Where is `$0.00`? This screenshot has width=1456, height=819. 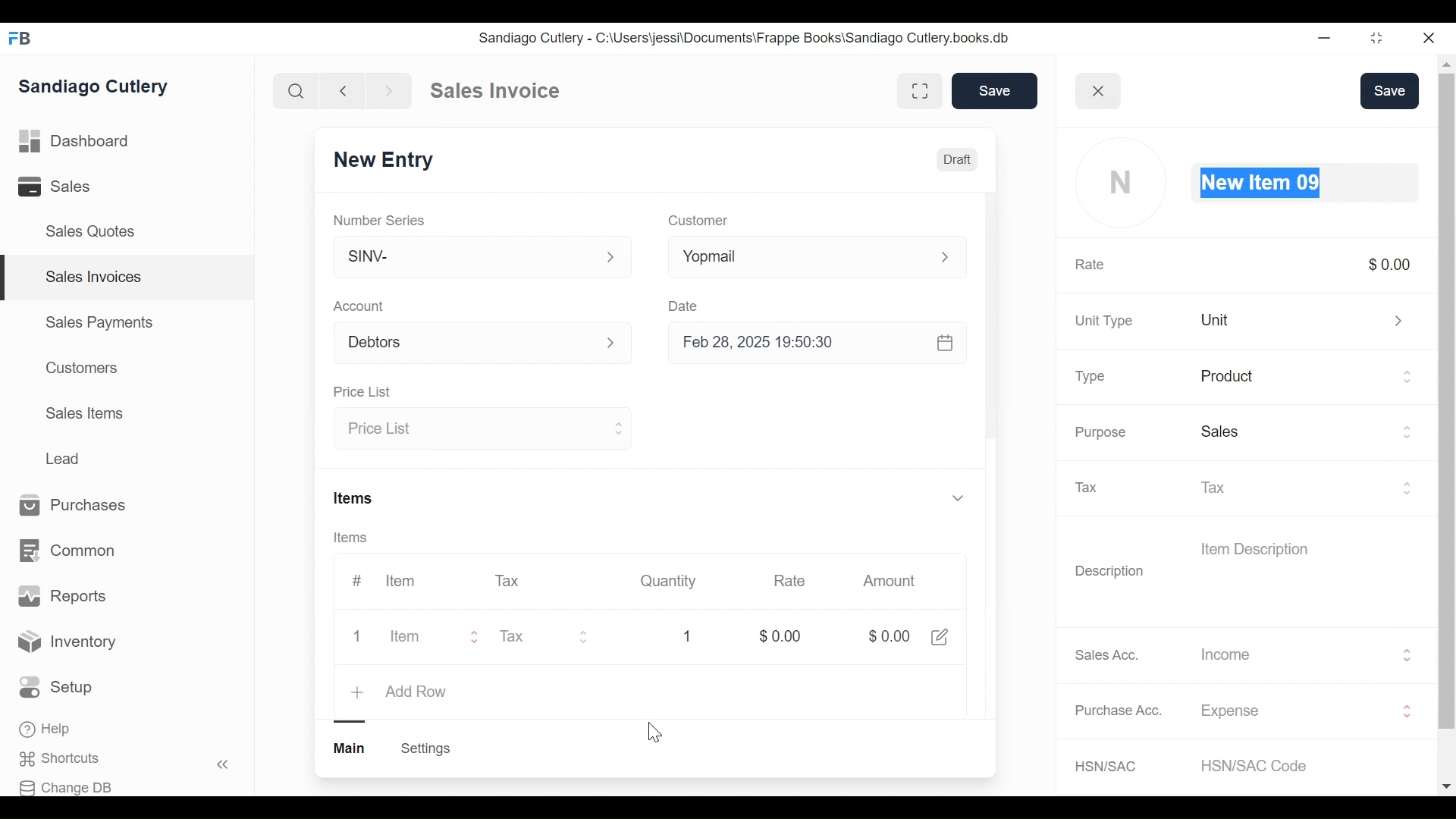 $0.00 is located at coordinates (777, 634).